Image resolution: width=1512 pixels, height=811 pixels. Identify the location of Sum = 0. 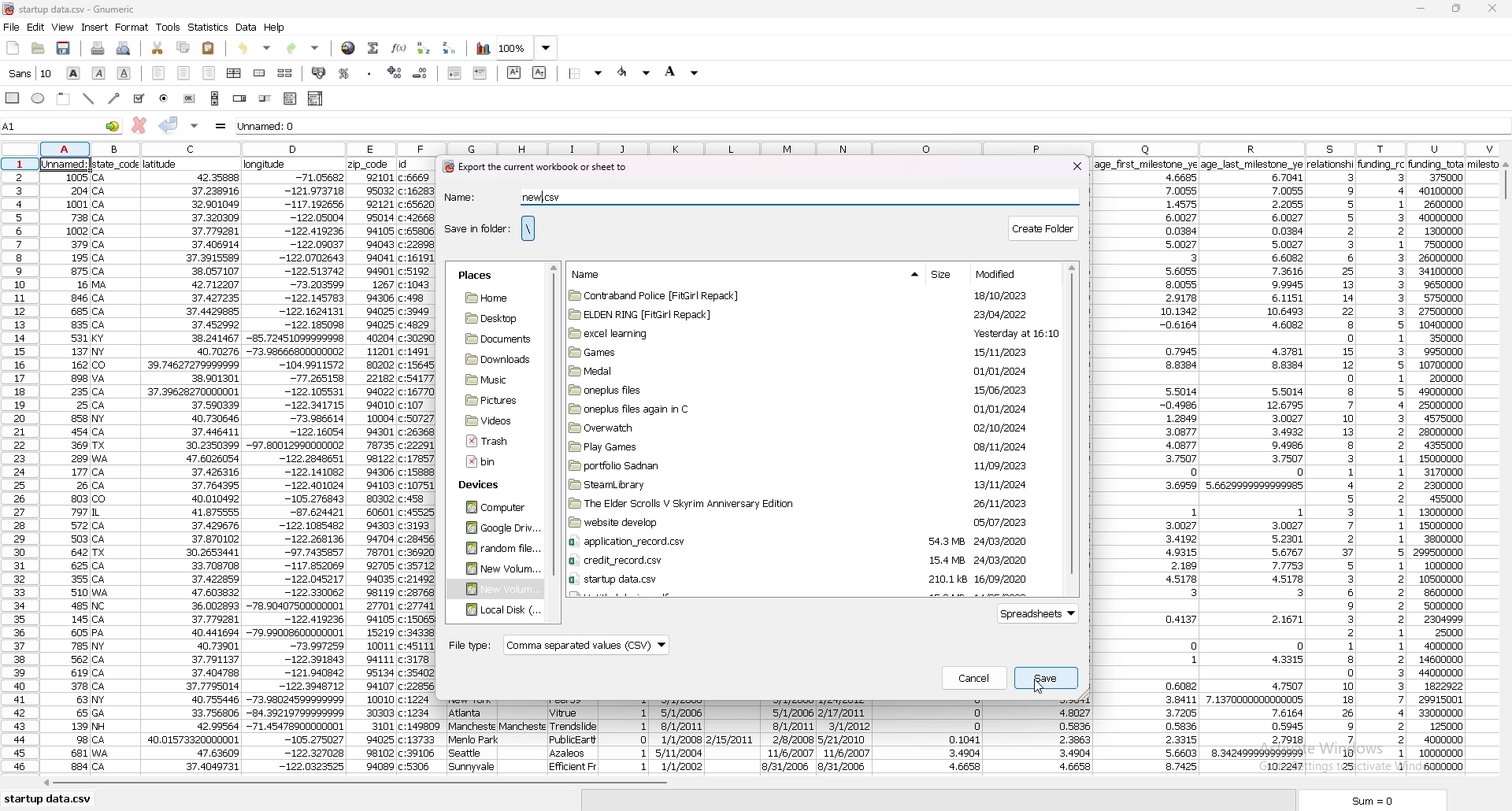
(1396, 802).